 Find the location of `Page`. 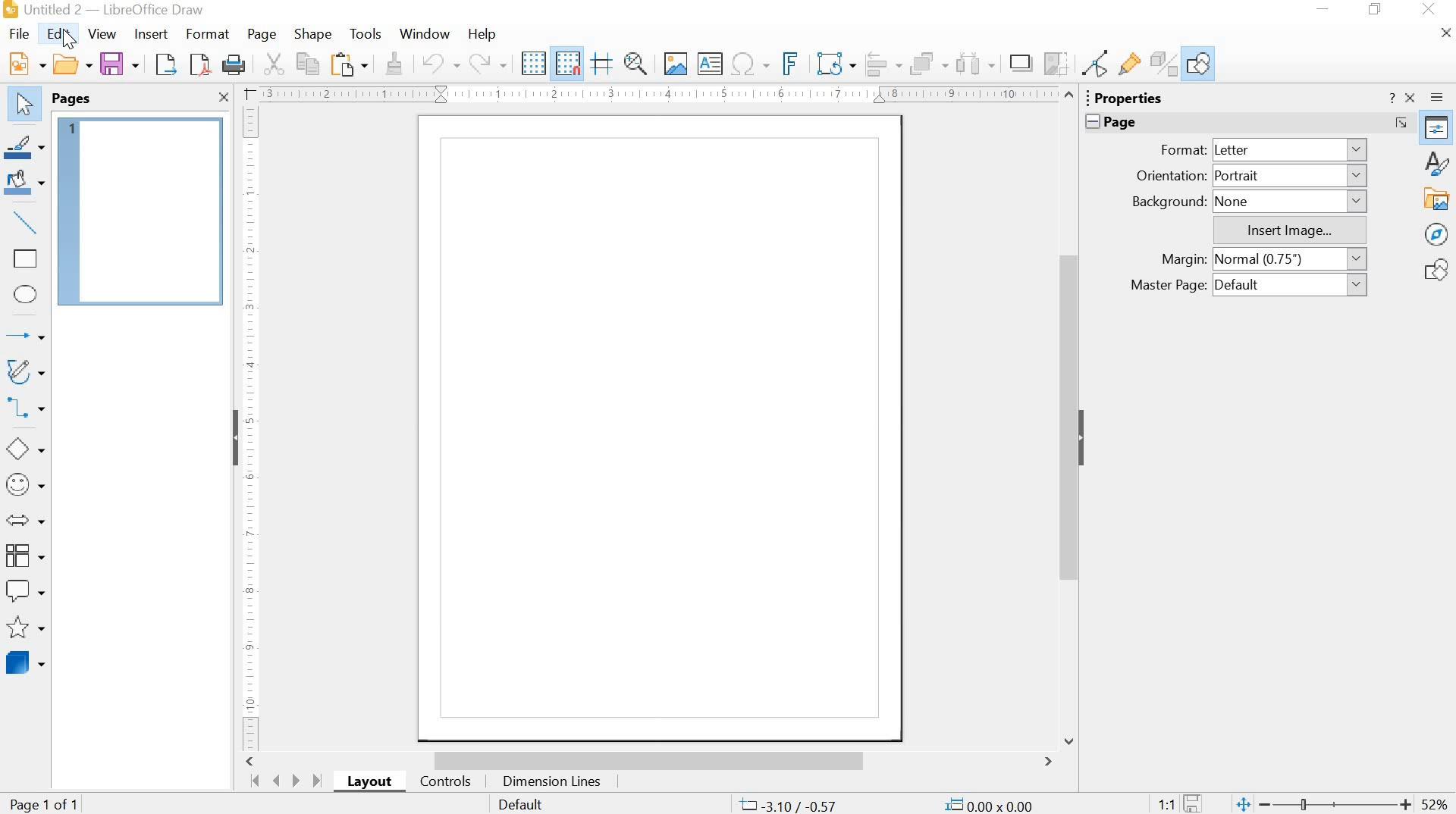

Page is located at coordinates (1109, 122).